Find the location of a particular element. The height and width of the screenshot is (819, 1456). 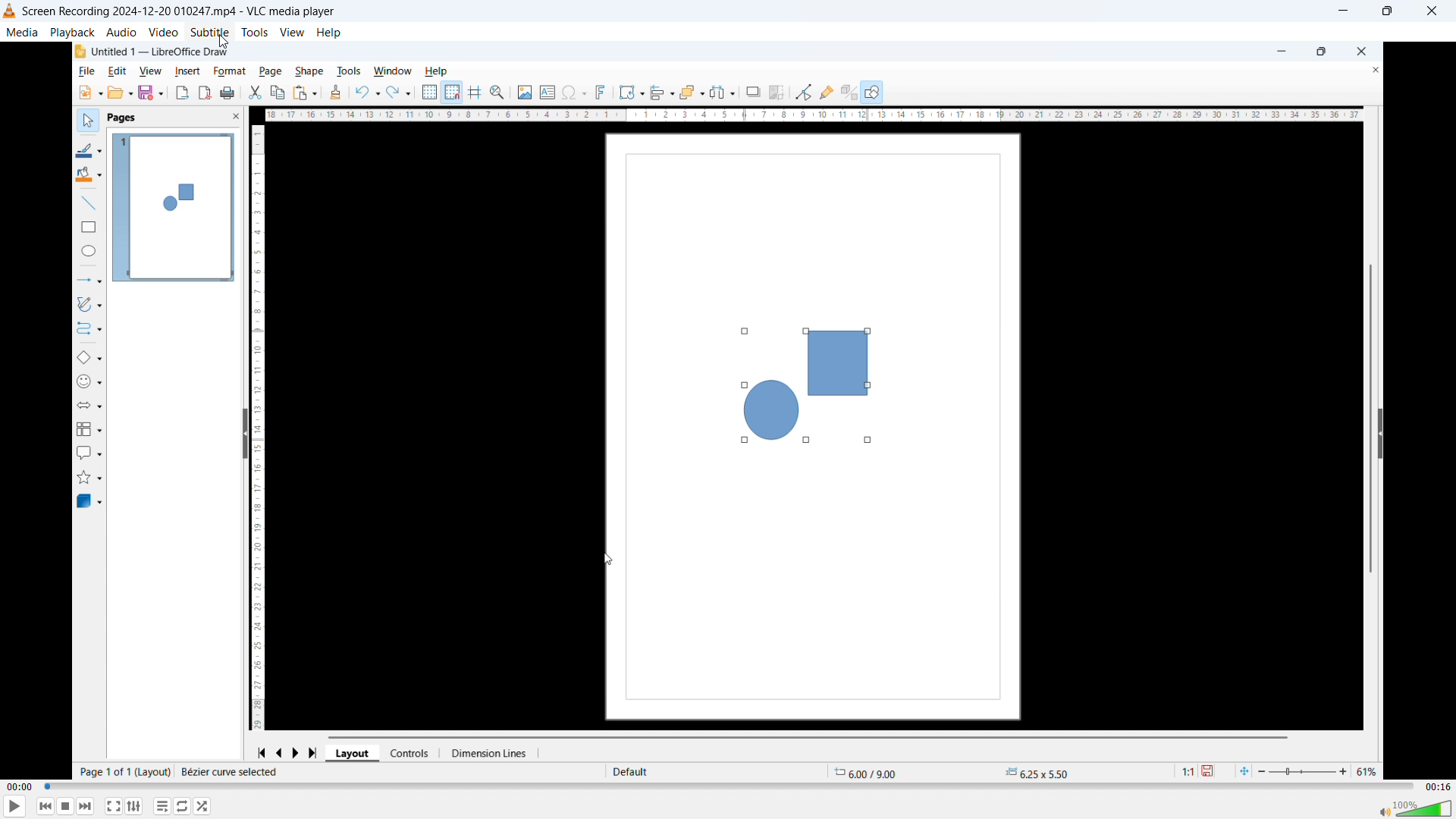

rectangle is located at coordinates (85, 229).